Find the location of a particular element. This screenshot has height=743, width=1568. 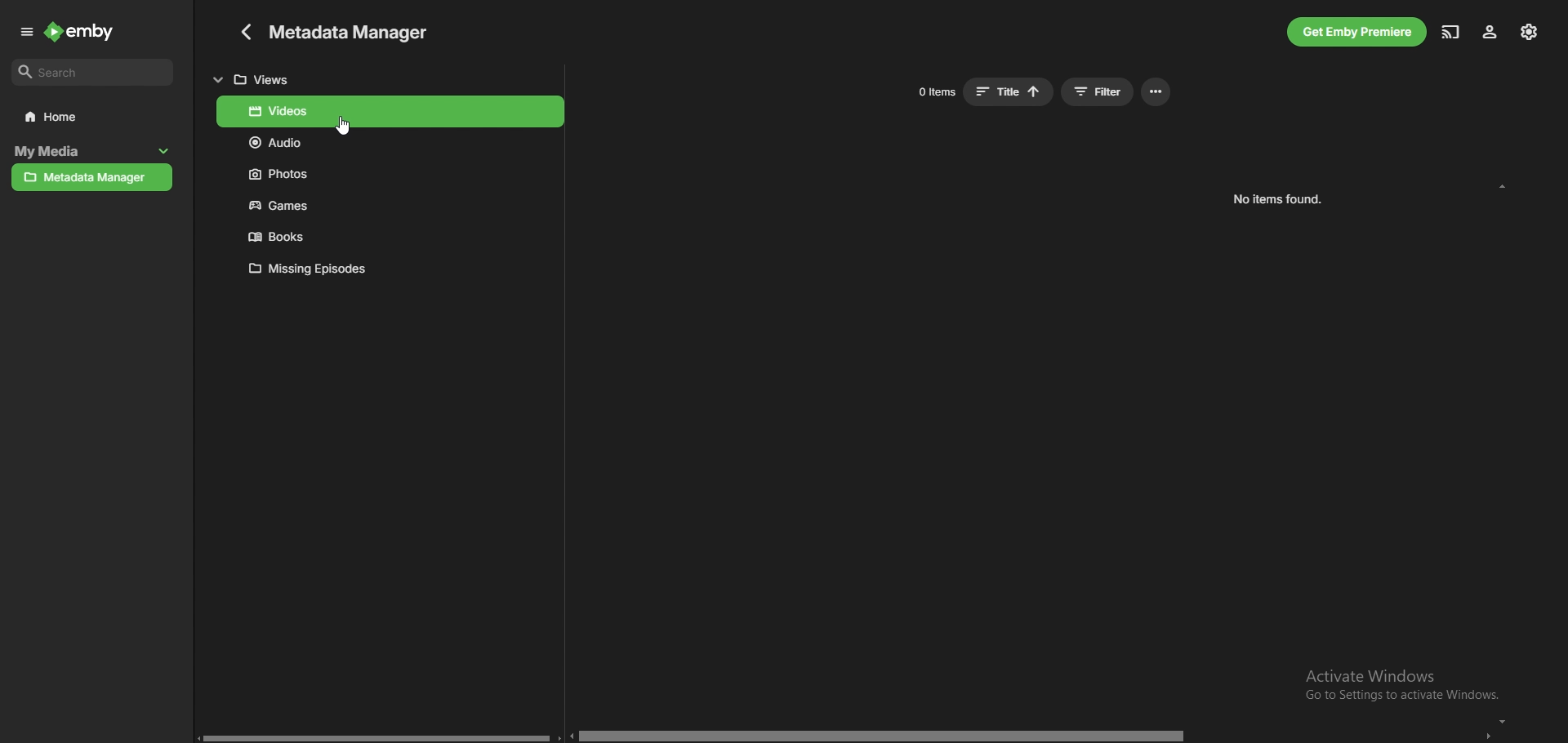

metadata manager is located at coordinates (353, 30).